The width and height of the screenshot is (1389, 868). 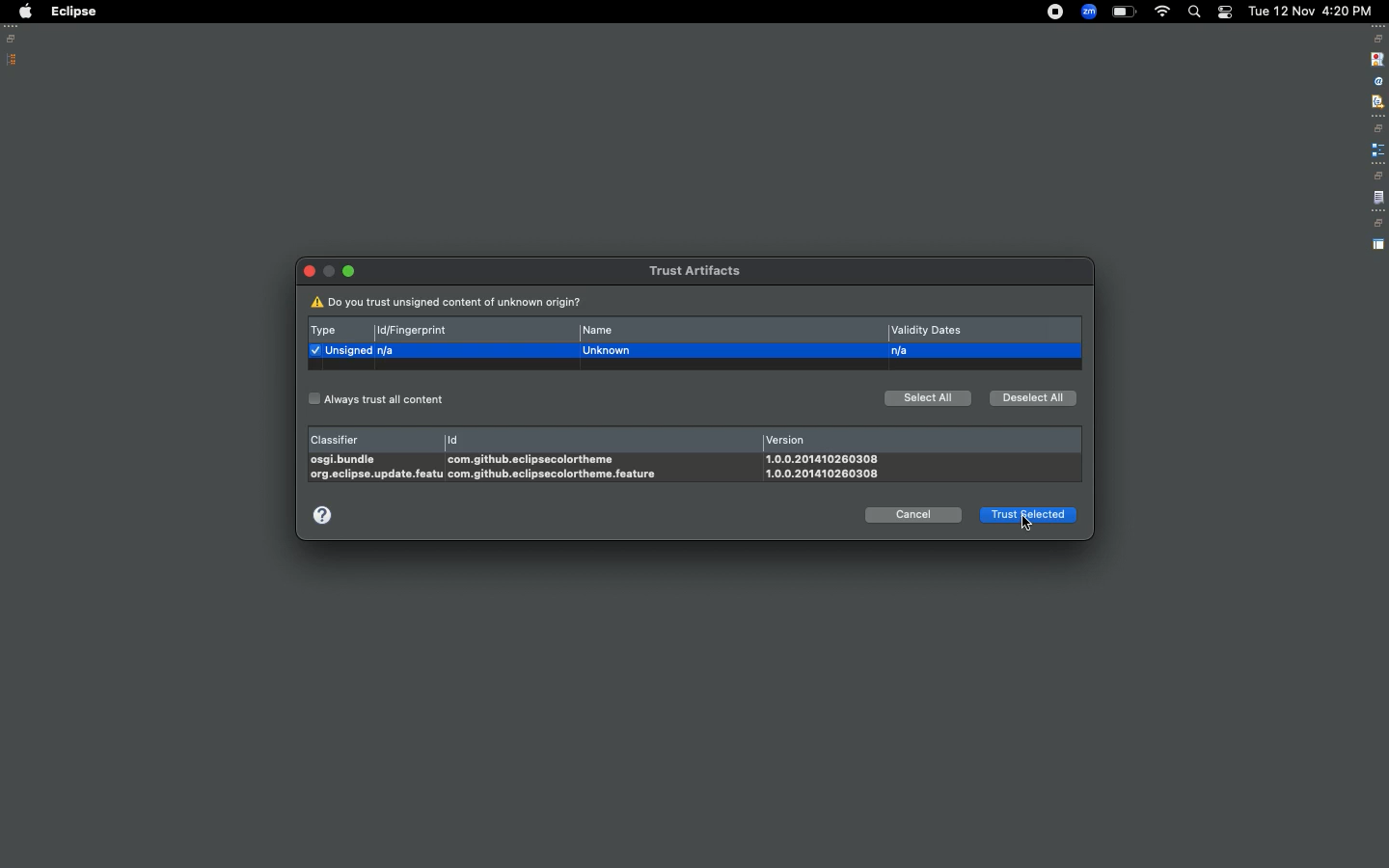 I want to click on perspective, so click(x=1378, y=245).